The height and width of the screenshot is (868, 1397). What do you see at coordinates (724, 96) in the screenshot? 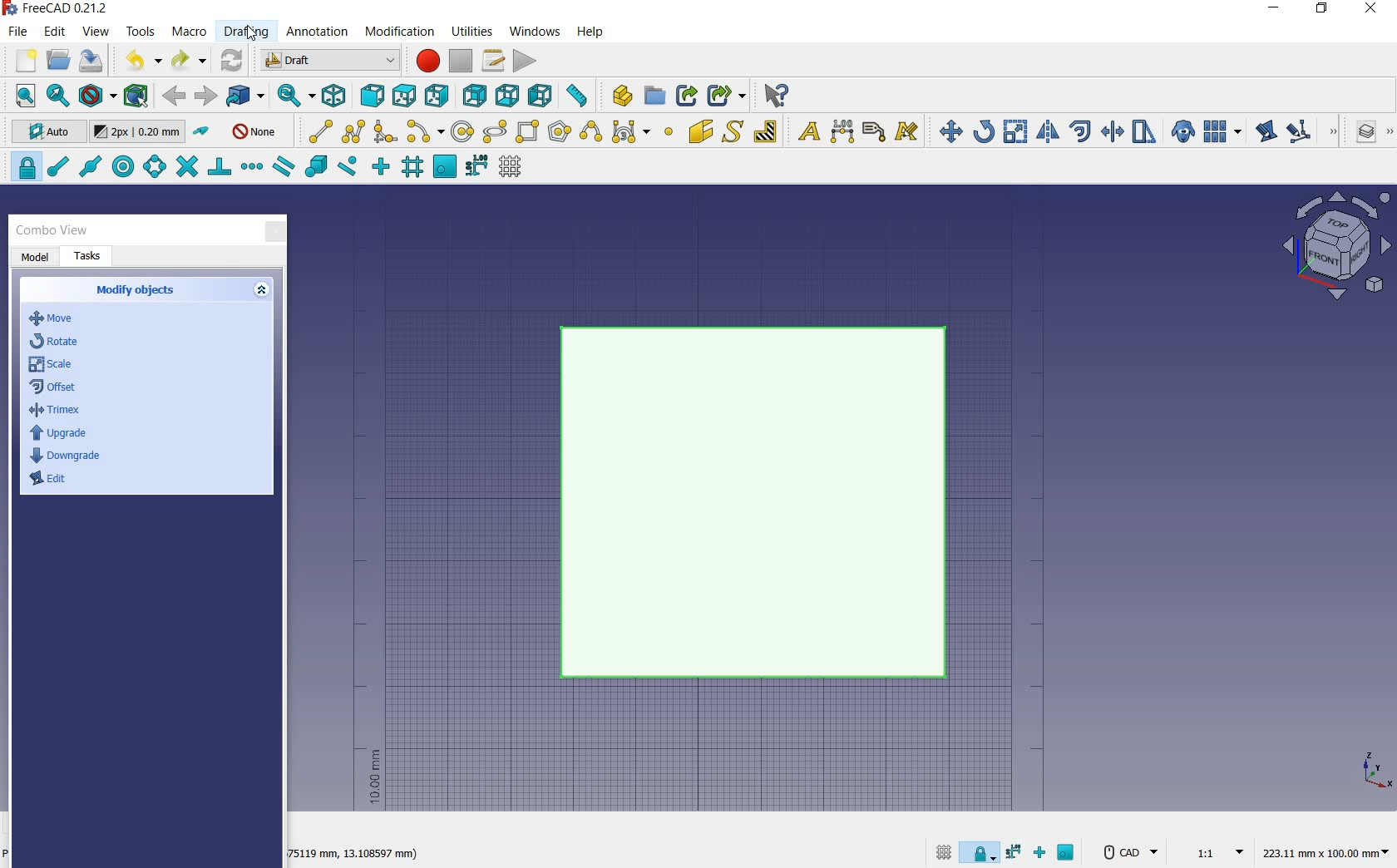
I see `make sub-link` at bounding box center [724, 96].